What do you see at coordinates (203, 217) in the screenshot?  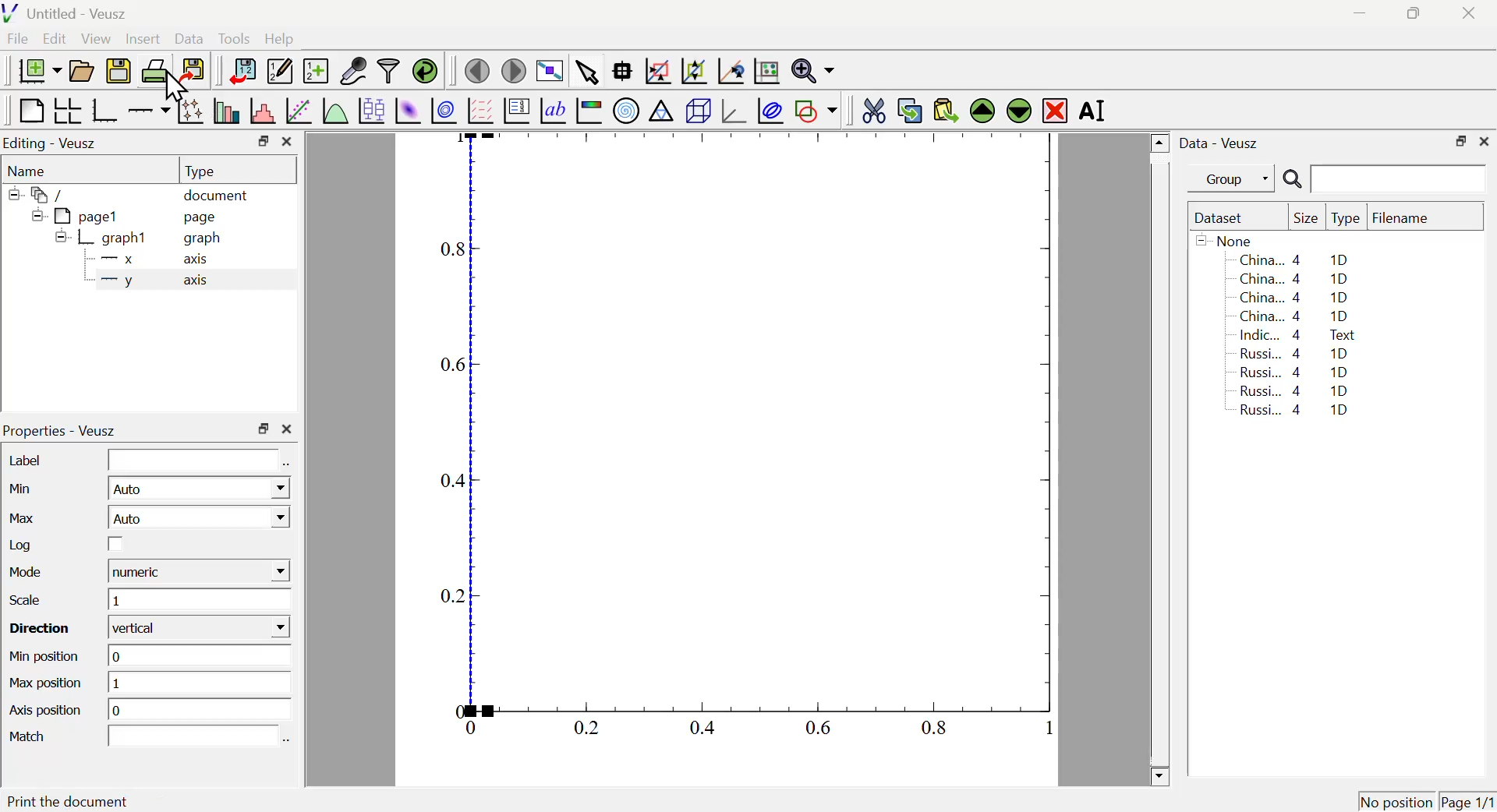 I see `page` at bounding box center [203, 217].